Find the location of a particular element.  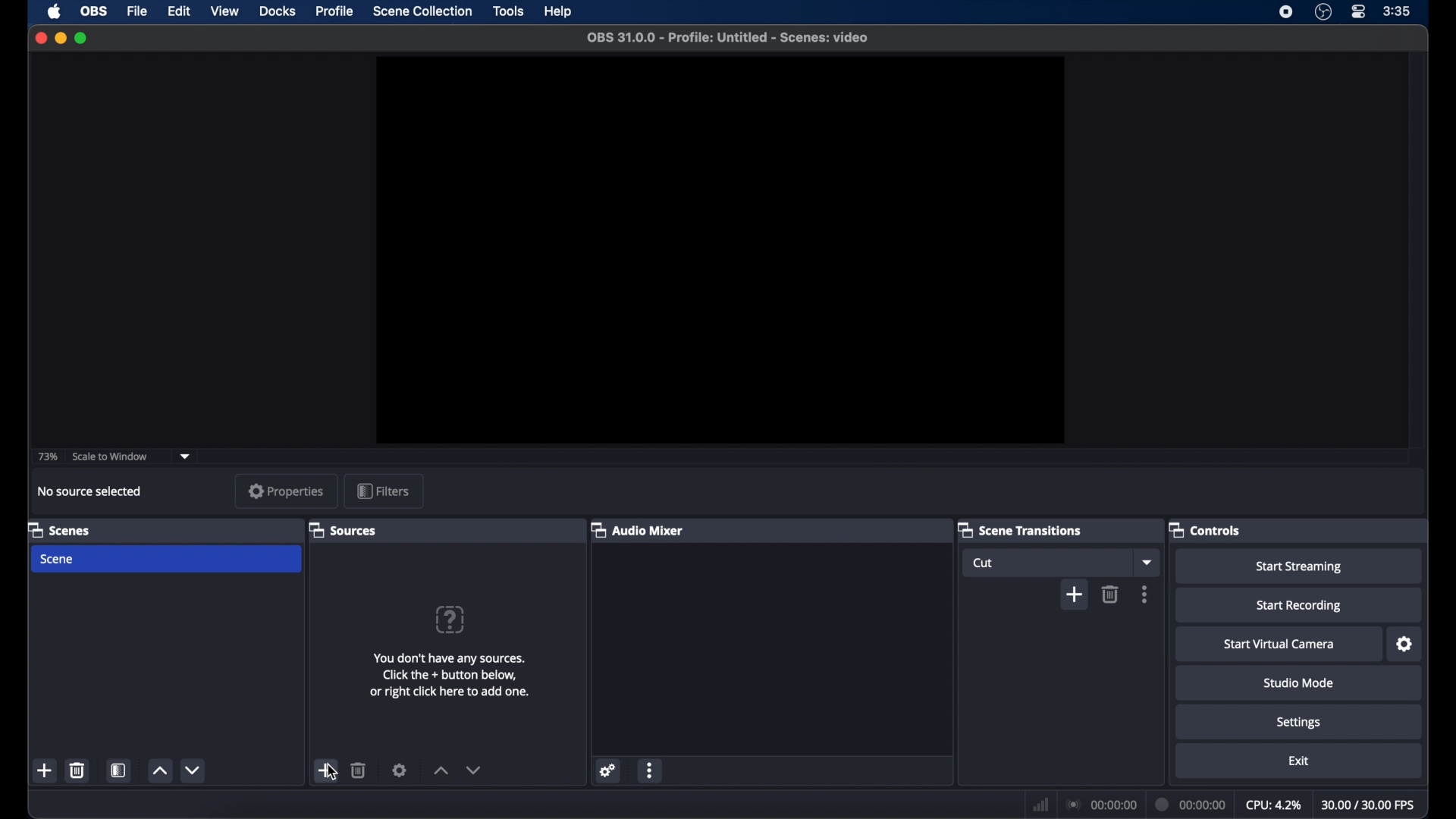

delete is located at coordinates (1111, 594).